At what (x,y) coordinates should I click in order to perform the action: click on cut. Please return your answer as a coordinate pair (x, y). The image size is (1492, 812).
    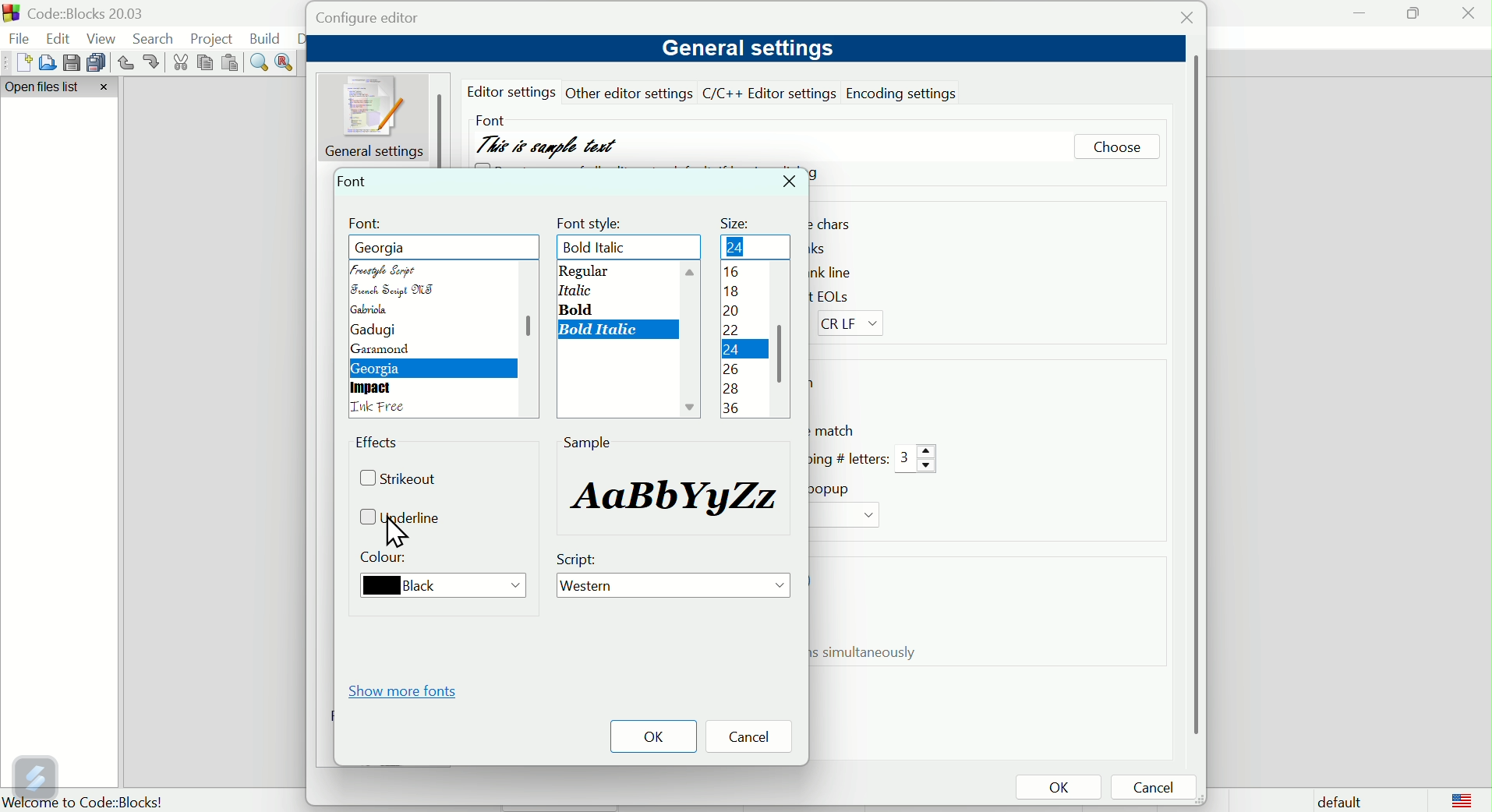
    Looking at the image, I should click on (182, 63).